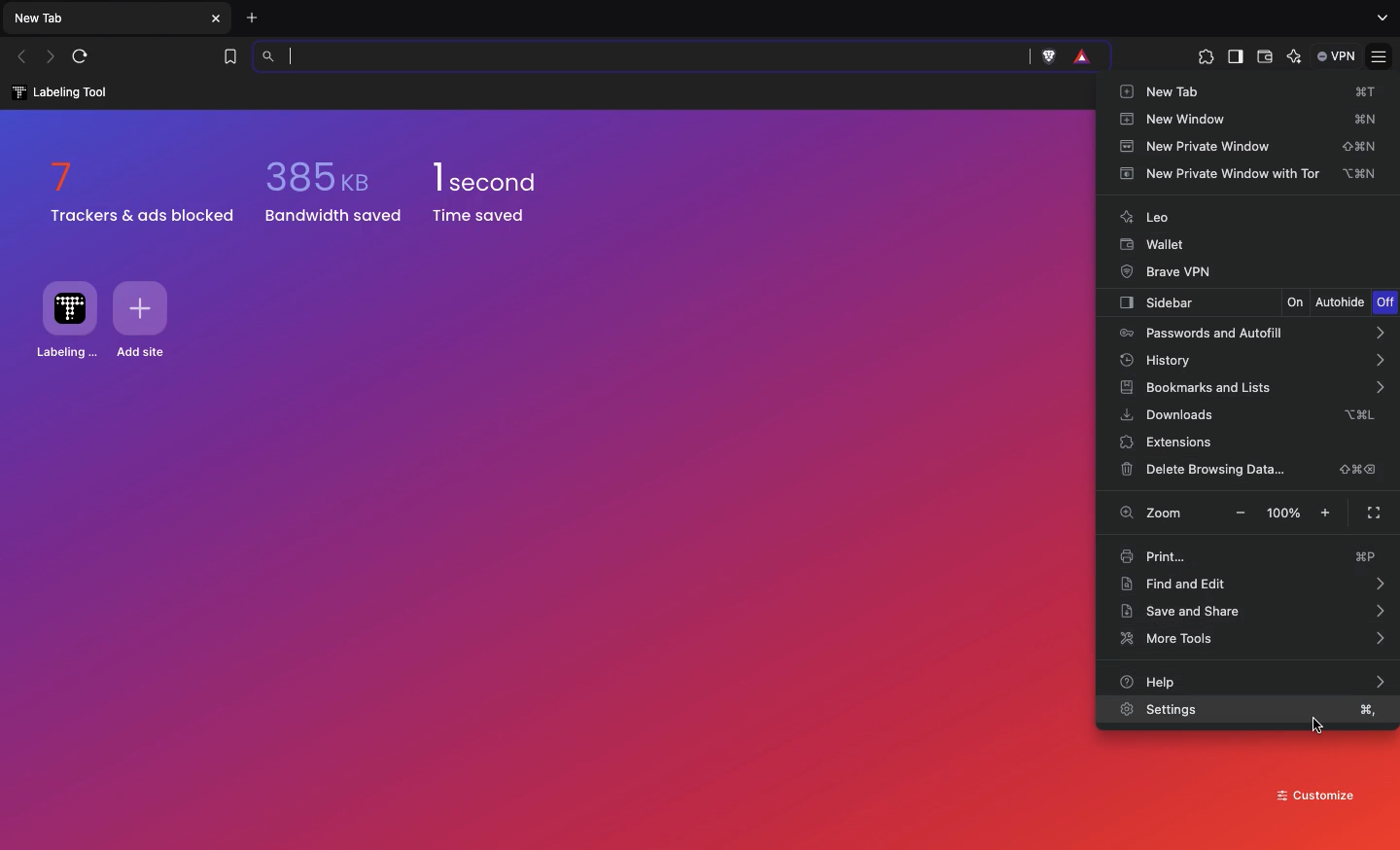 Image resolution: width=1400 pixels, height=850 pixels. I want to click on customize and control brave, so click(1382, 51).